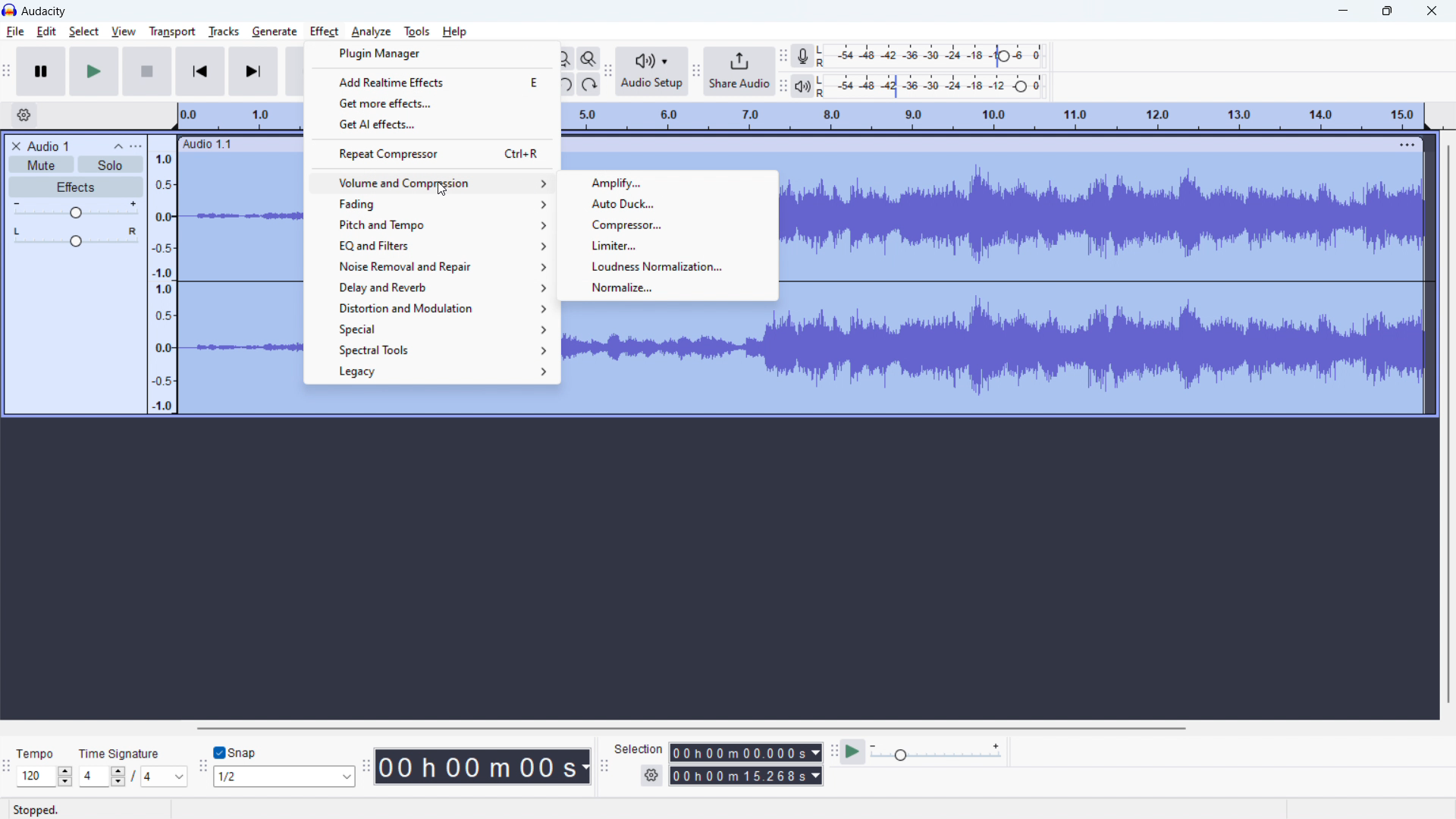 The image size is (1456, 819). What do you see at coordinates (1409, 144) in the screenshot?
I see `menu` at bounding box center [1409, 144].